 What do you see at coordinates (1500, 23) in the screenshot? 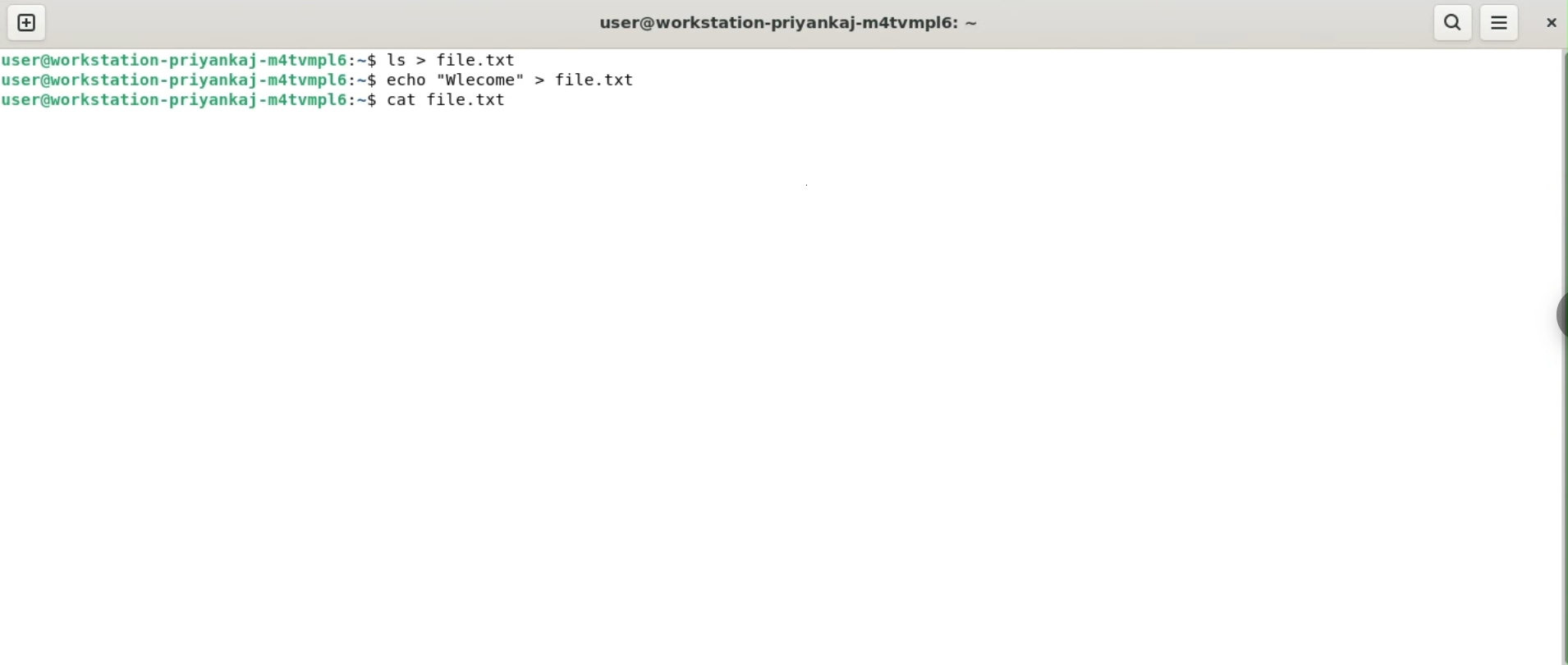
I see `menu` at bounding box center [1500, 23].